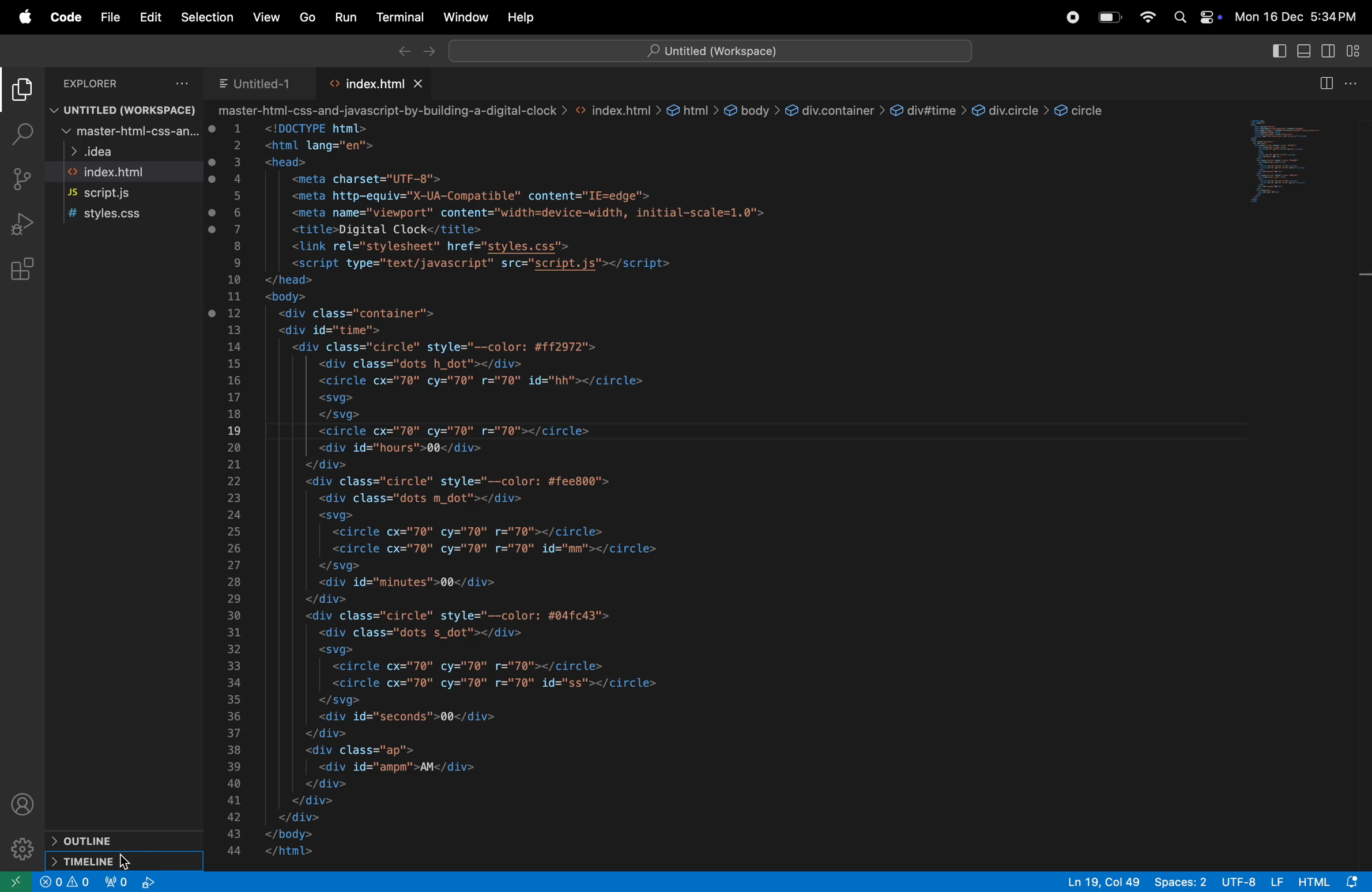 The height and width of the screenshot is (892, 1372). What do you see at coordinates (474, 195) in the screenshot?
I see `<meta http-equiv="X-UA-Compatible" content="IE=edge">` at bounding box center [474, 195].